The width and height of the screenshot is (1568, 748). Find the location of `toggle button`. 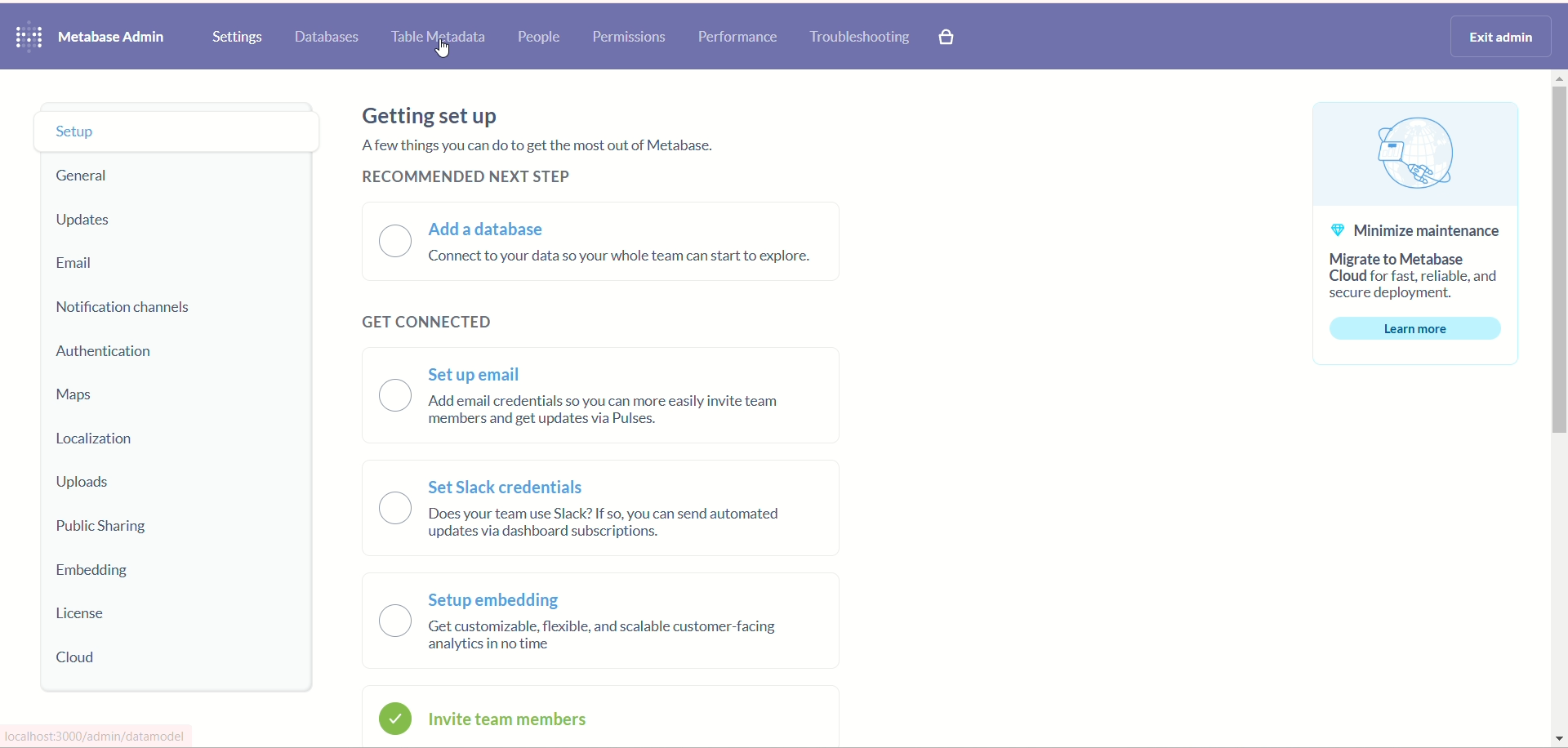

toggle button is located at coordinates (381, 242).